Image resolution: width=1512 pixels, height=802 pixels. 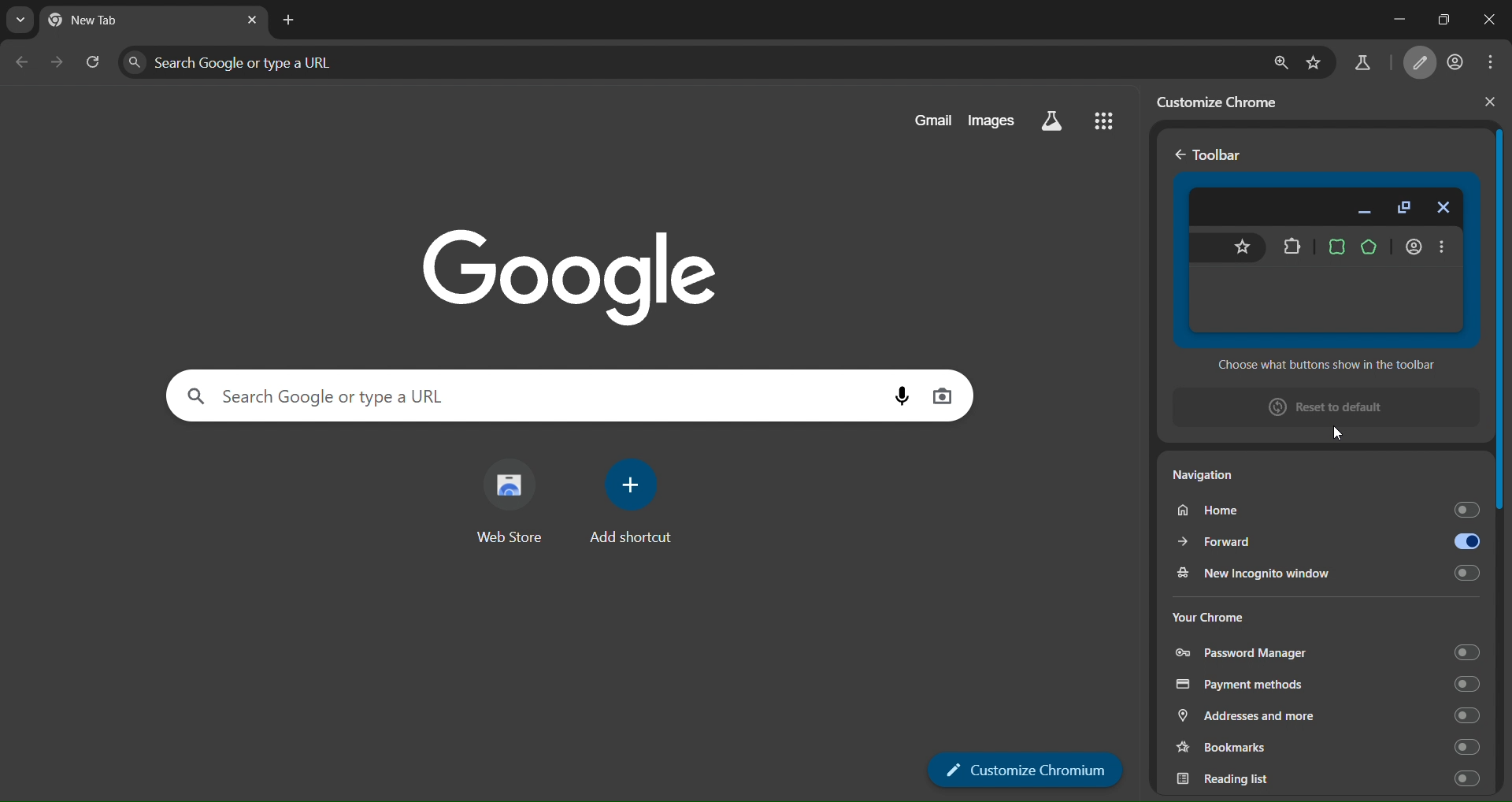 What do you see at coordinates (1325, 776) in the screenshot?
I see `reading list` at bounding box center [1325, 776].